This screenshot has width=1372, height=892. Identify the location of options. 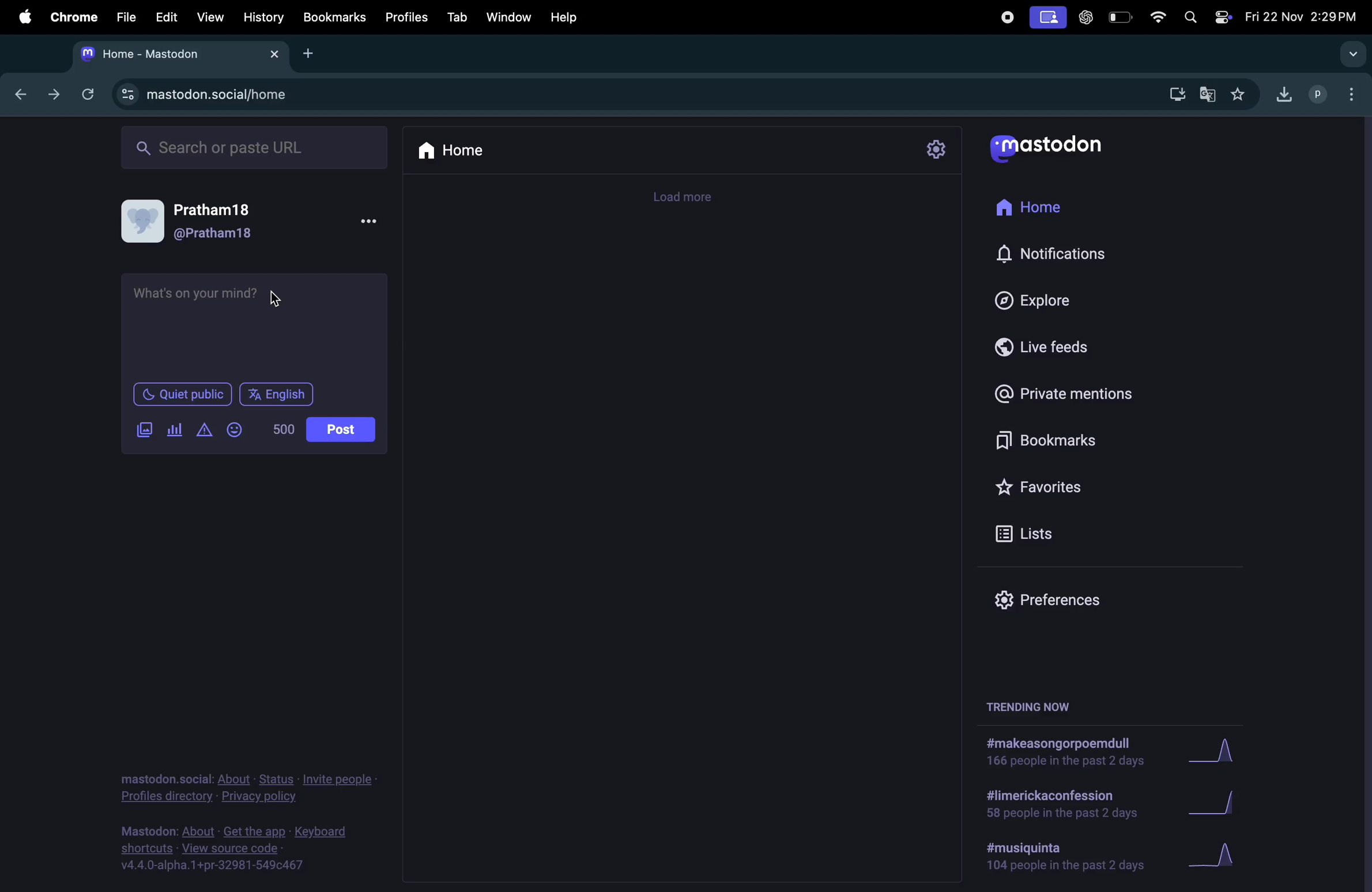
(1347, 92).